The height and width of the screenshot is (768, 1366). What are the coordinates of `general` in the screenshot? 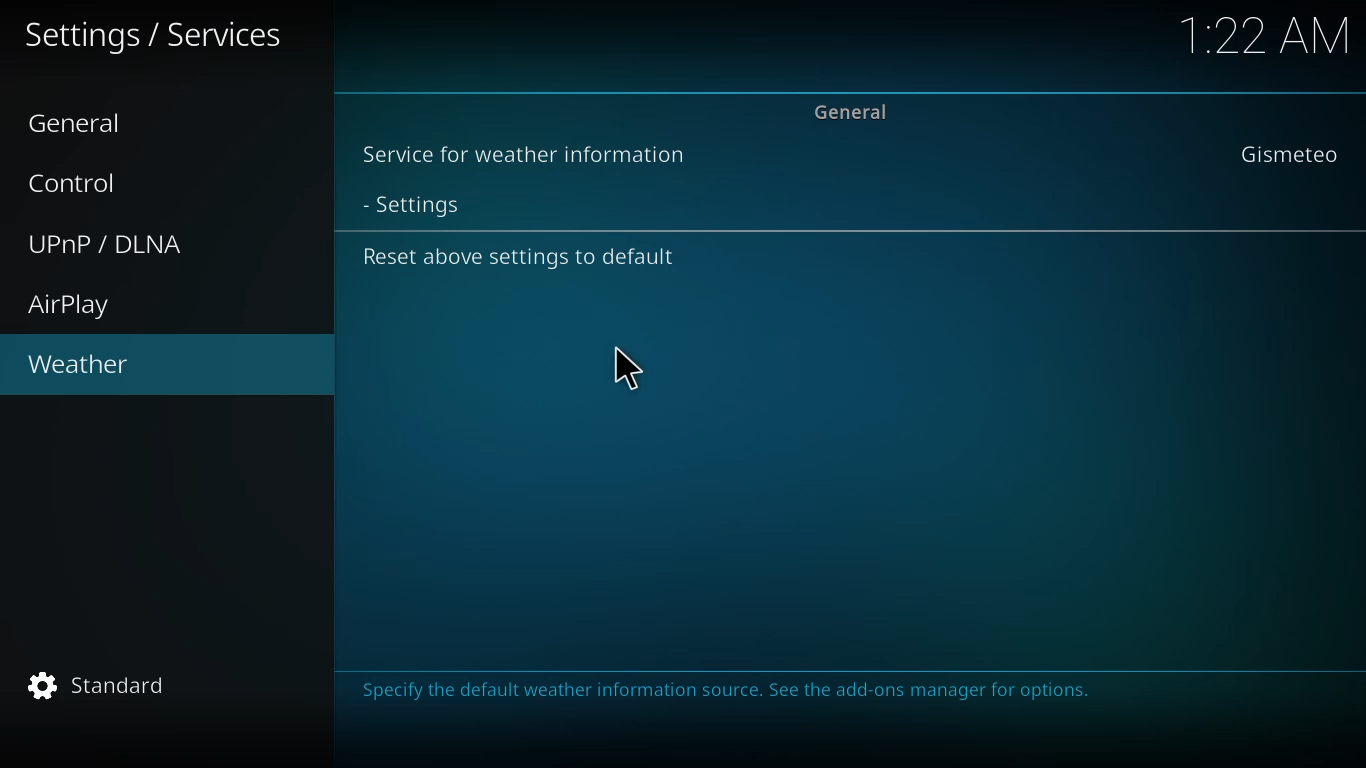 It's located at (83, 124).